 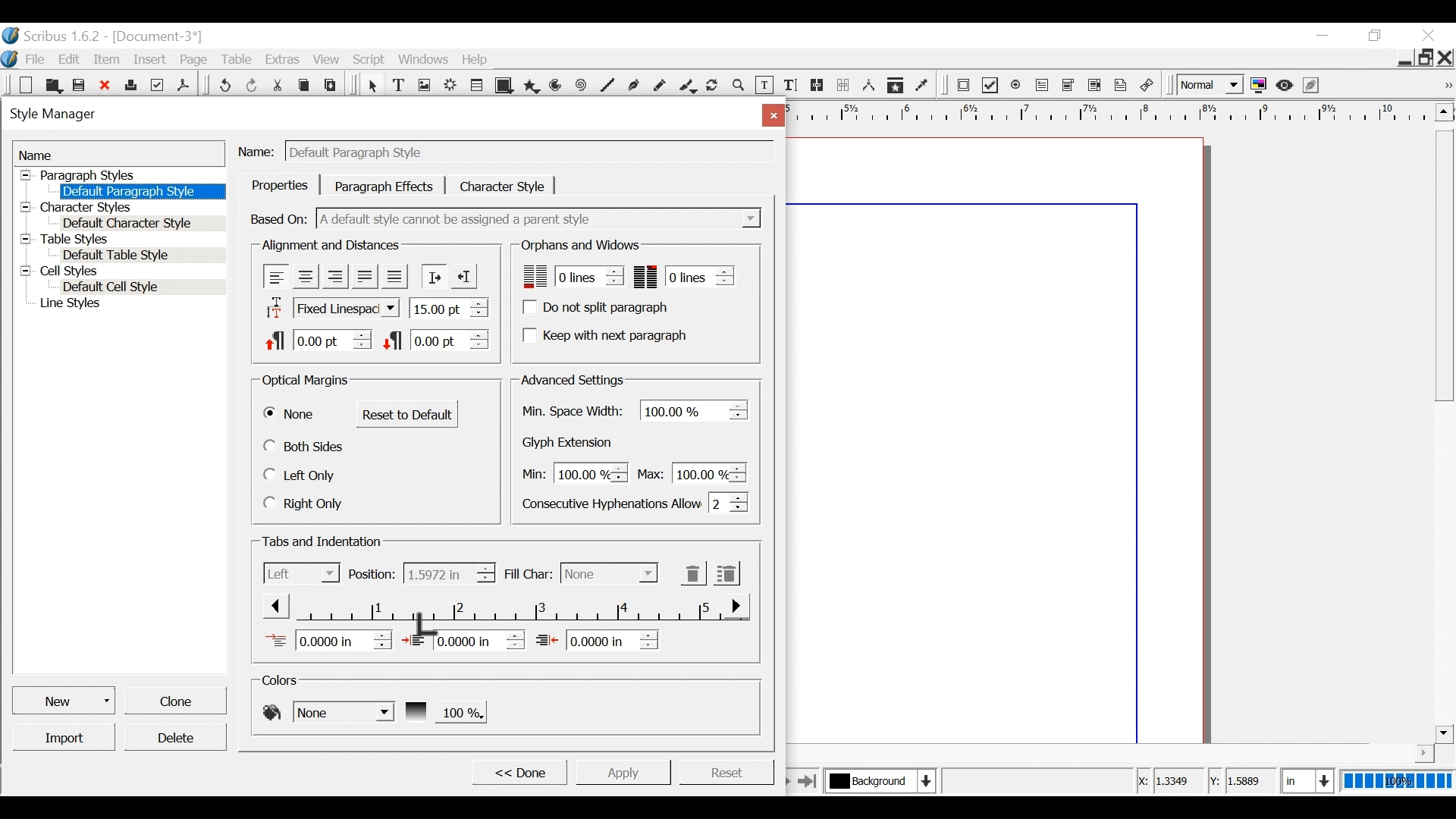 What do you see at coordinates (448, 573) in the screenshot?
I see `Position of tab` at bounding box center [448, 573].